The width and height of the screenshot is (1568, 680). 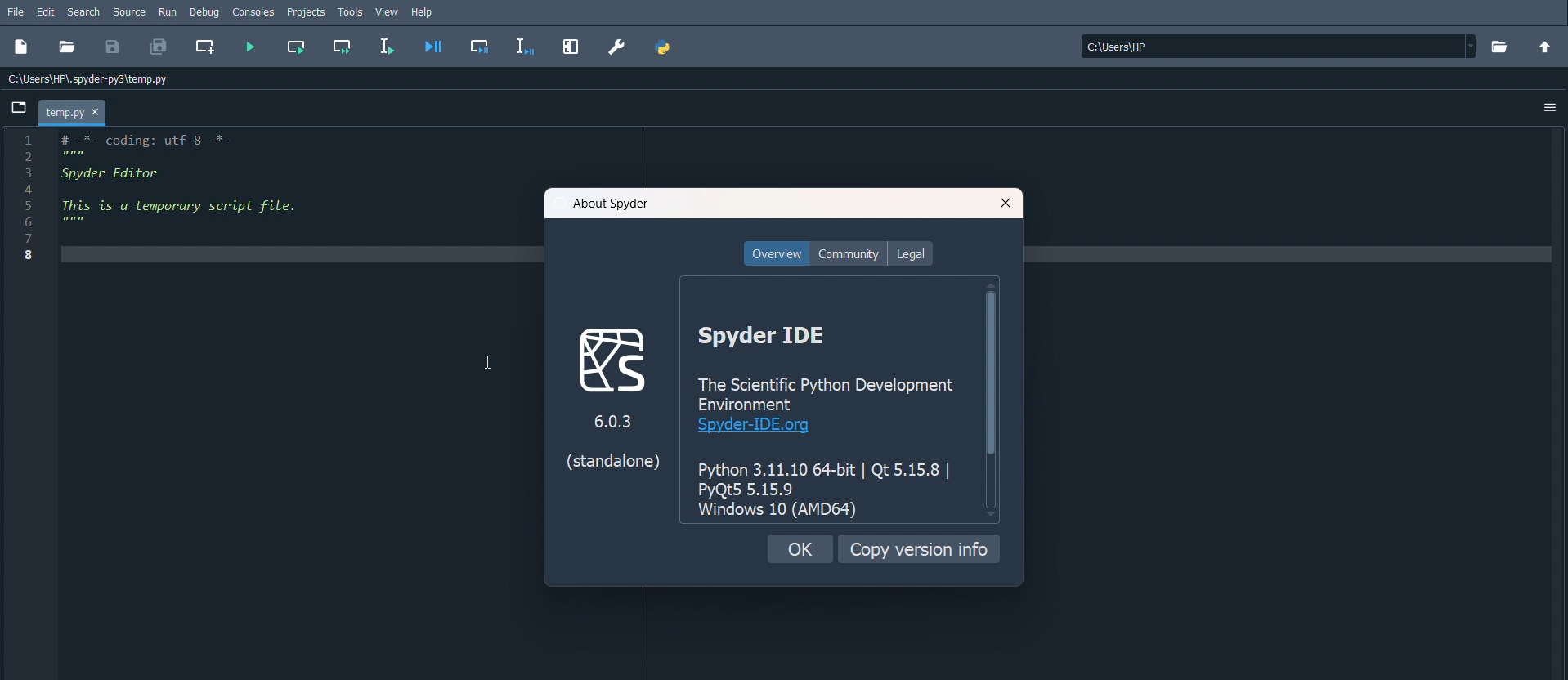 What do you see at coordinates (571, 46) in the screenshot?
I see `Maximize current pane` at bounding box center [571, 46].